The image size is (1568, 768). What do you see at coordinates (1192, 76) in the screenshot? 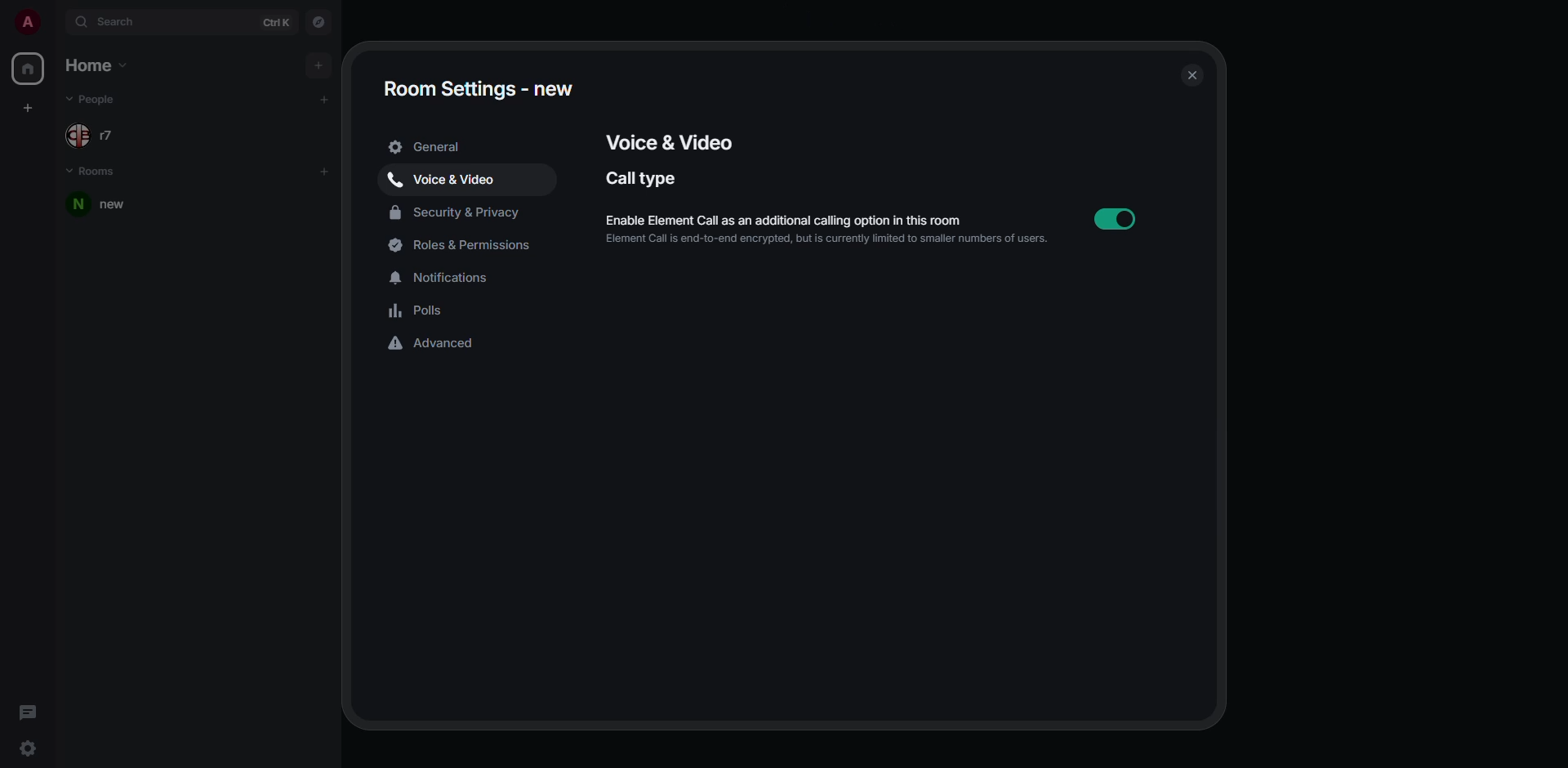
I see `close` at bounding box center [1192, 76].